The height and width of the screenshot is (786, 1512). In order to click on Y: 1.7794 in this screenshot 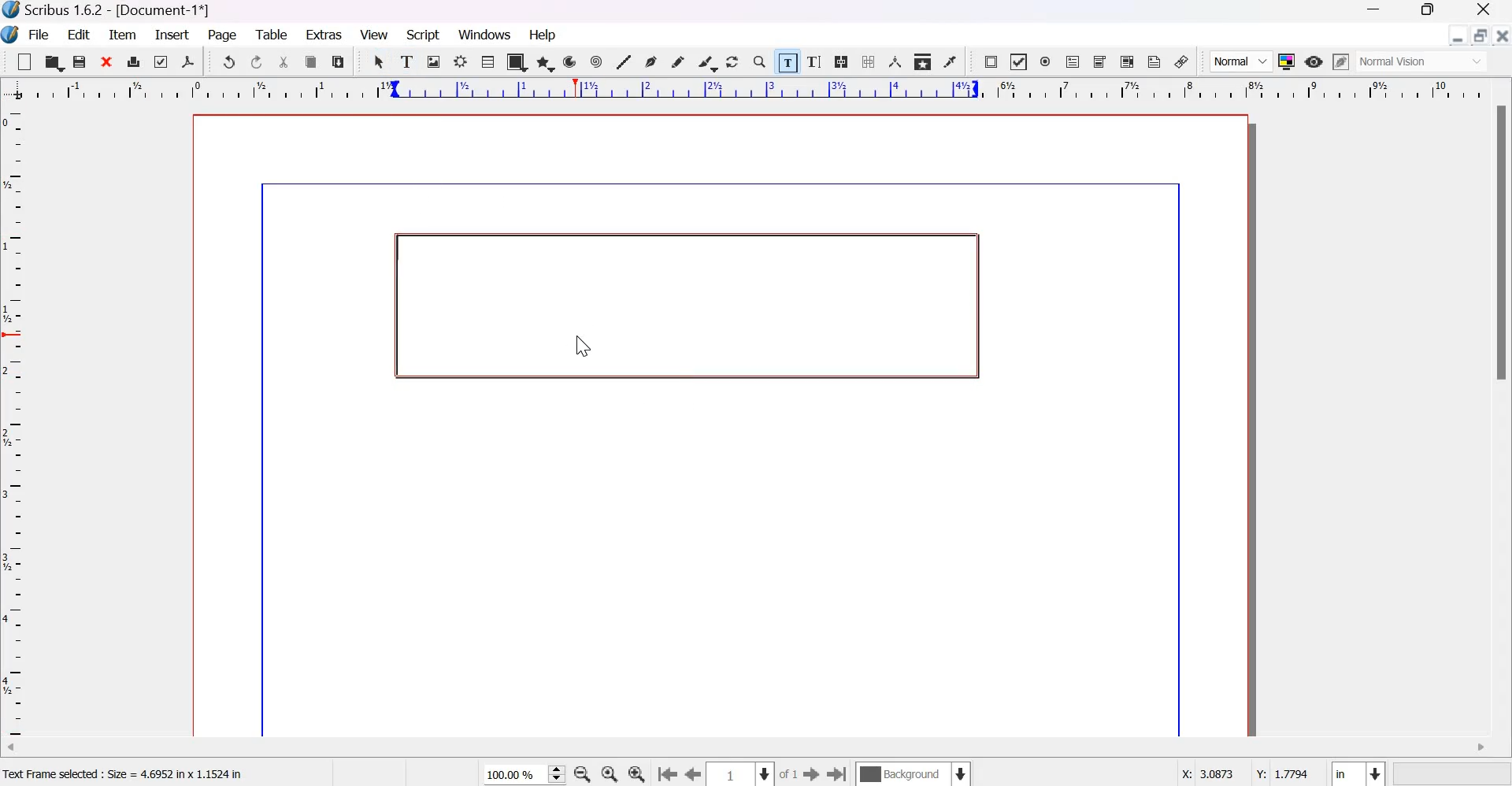, I will do `click(1280, 771)`.